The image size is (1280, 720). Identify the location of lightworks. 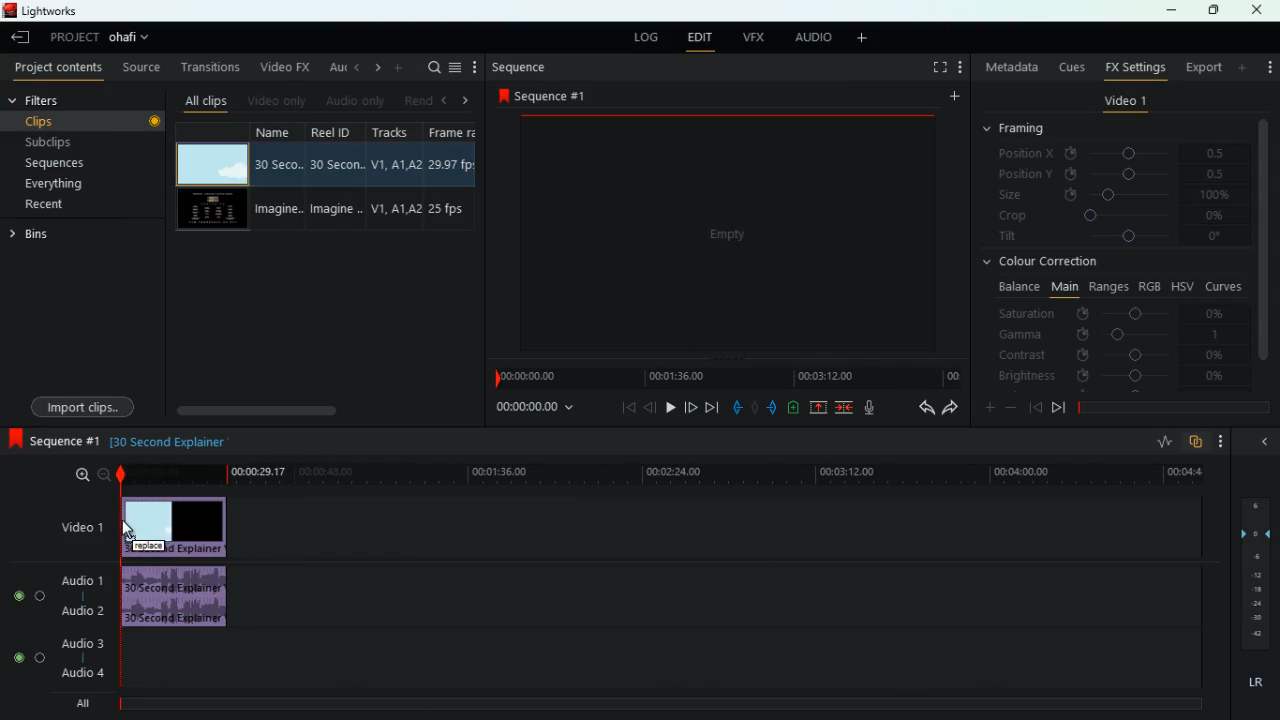
(42, 10).